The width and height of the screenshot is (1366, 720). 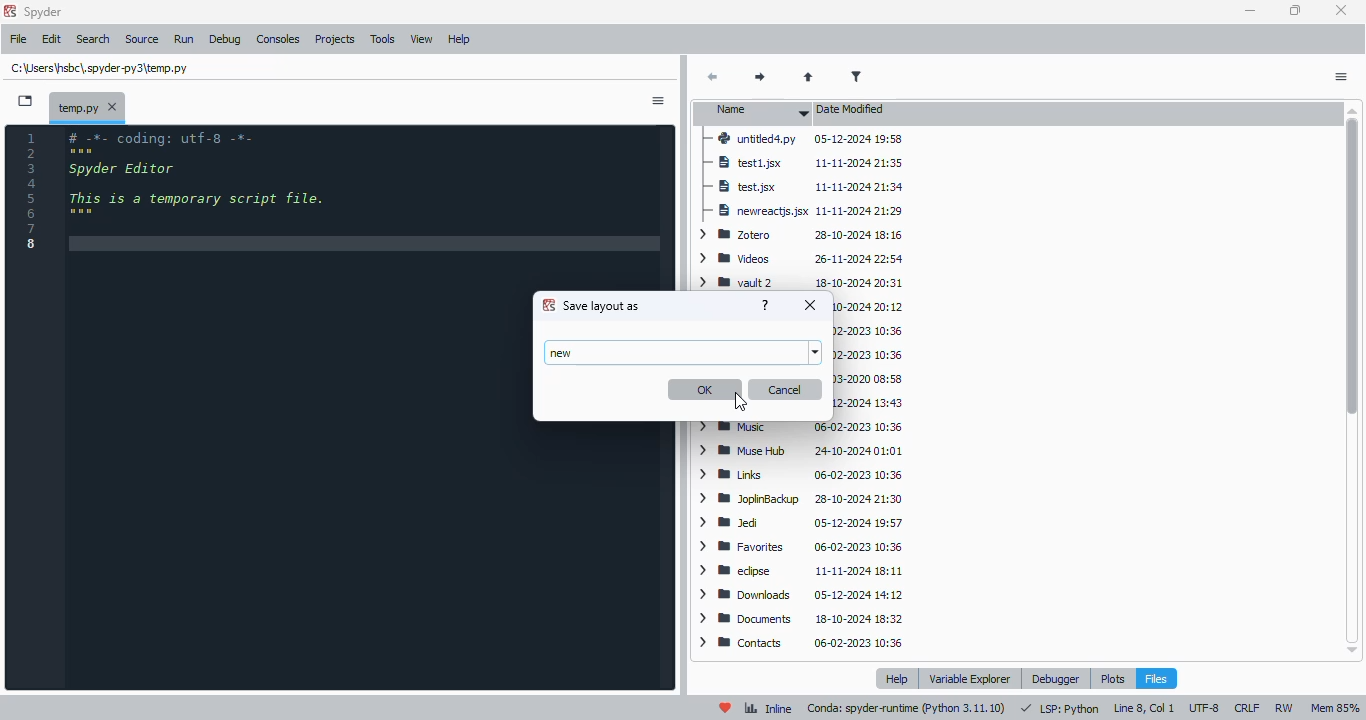 What do you see at coordinates (802, 498) in the screenshot?
I see `JoplinBackup` at bounding box center [802, 498].